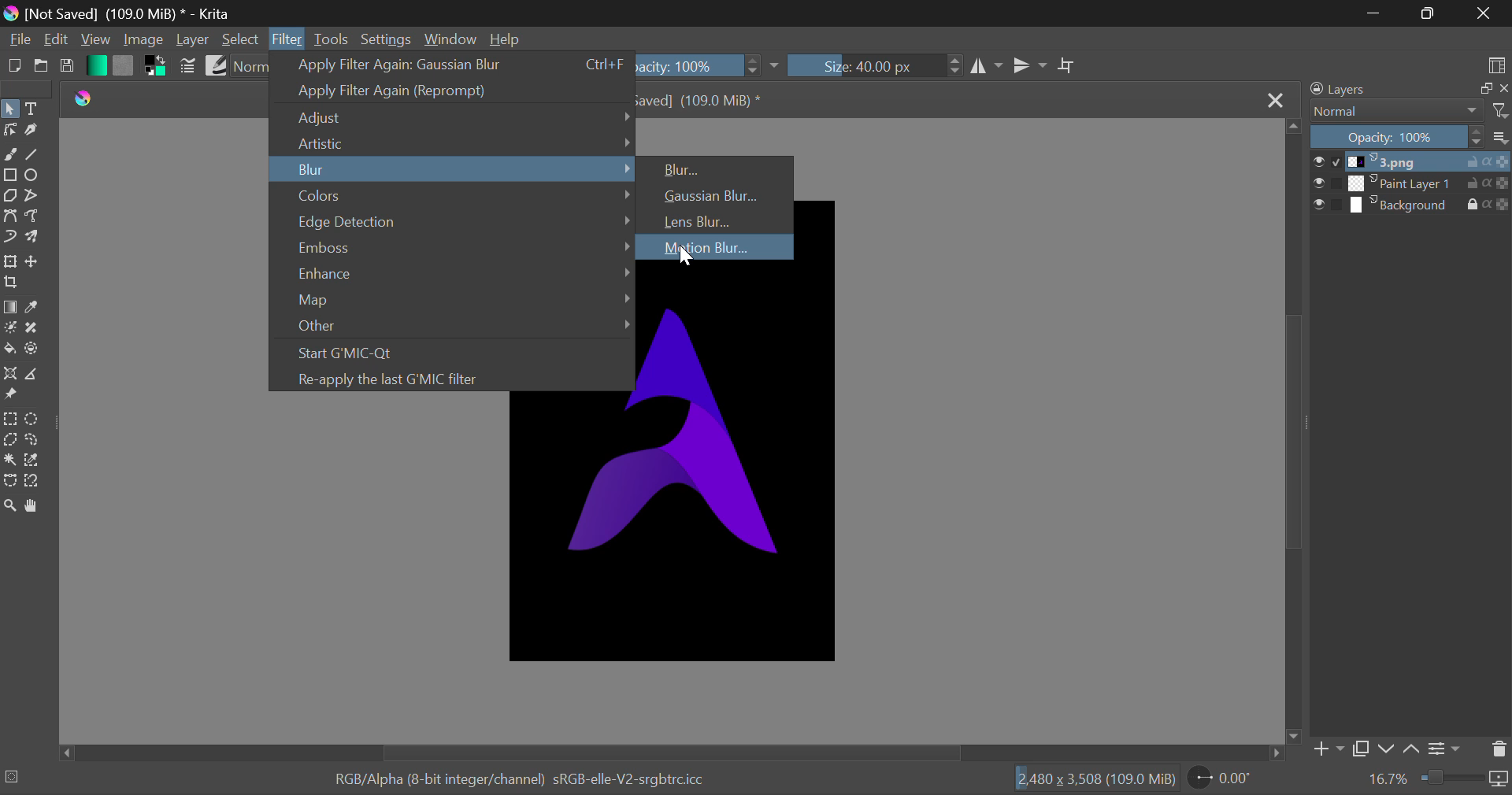  Describe the element at coordinates (1413, 746) in the screenshot. I see `Move Layer Up` at that location.